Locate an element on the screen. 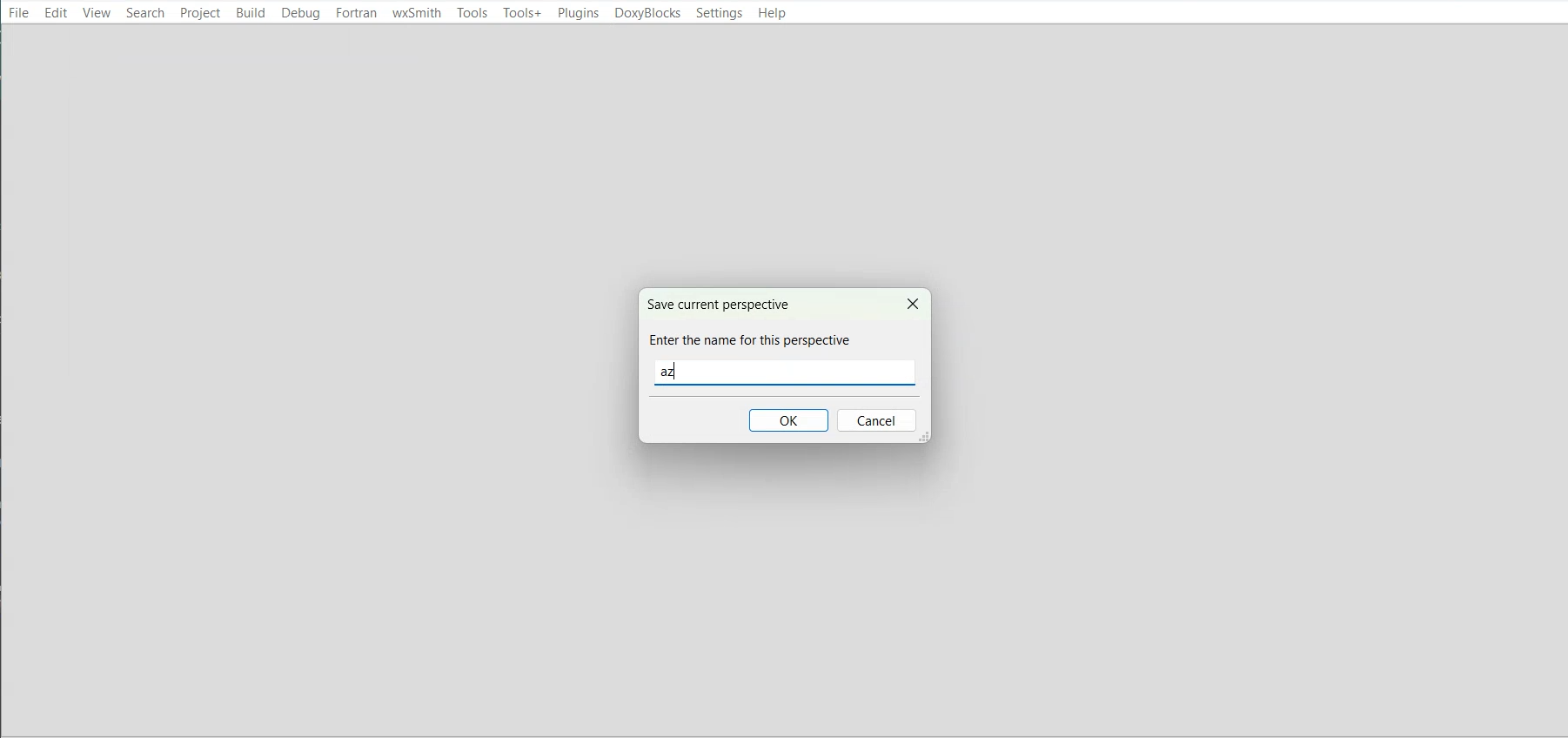 This screenshot has width=1568, height=738. Text is located at coordinates (675, 372).